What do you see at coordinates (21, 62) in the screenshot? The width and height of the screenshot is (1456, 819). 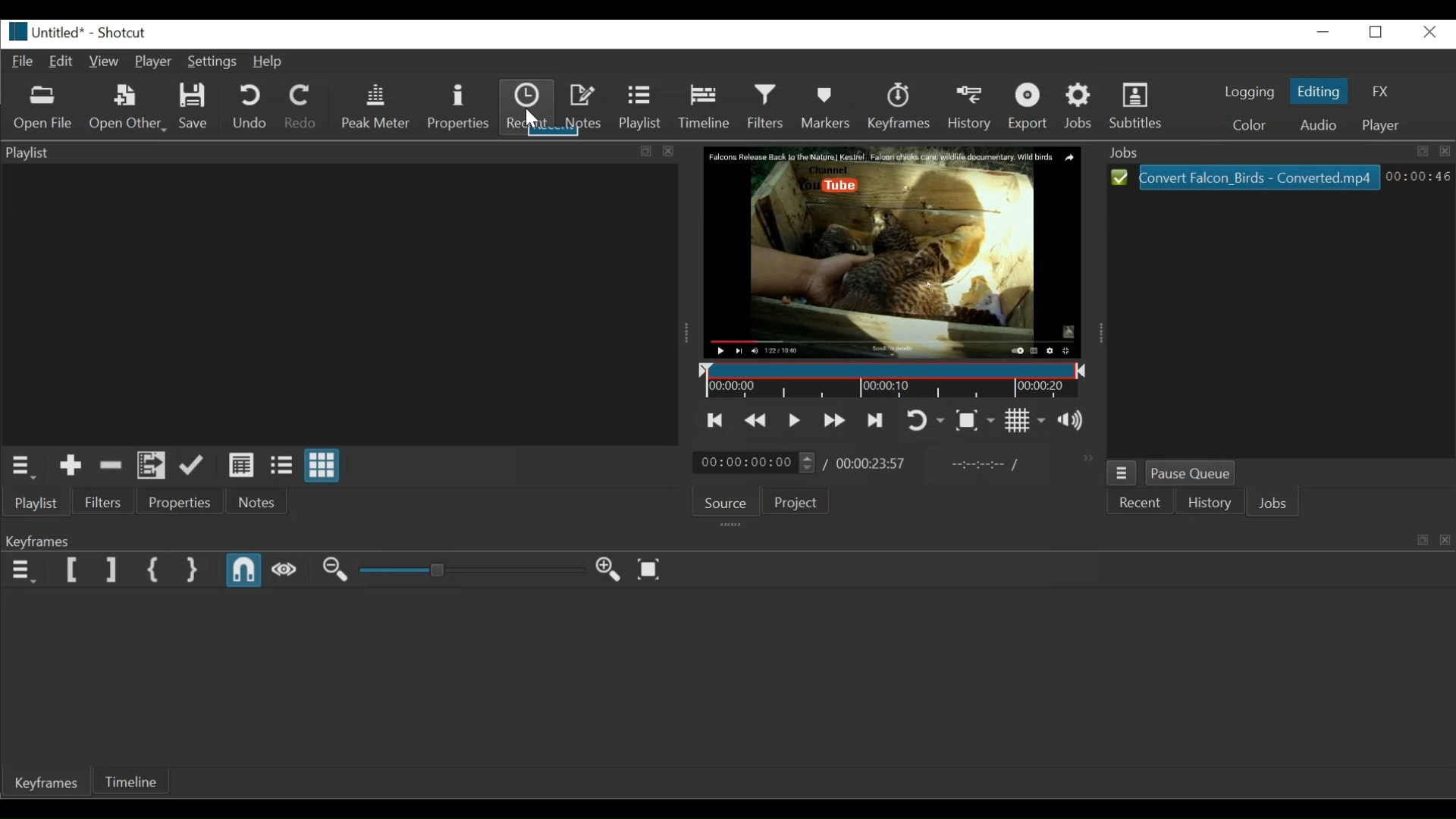 I see `File` at bounding box center [21, 62].